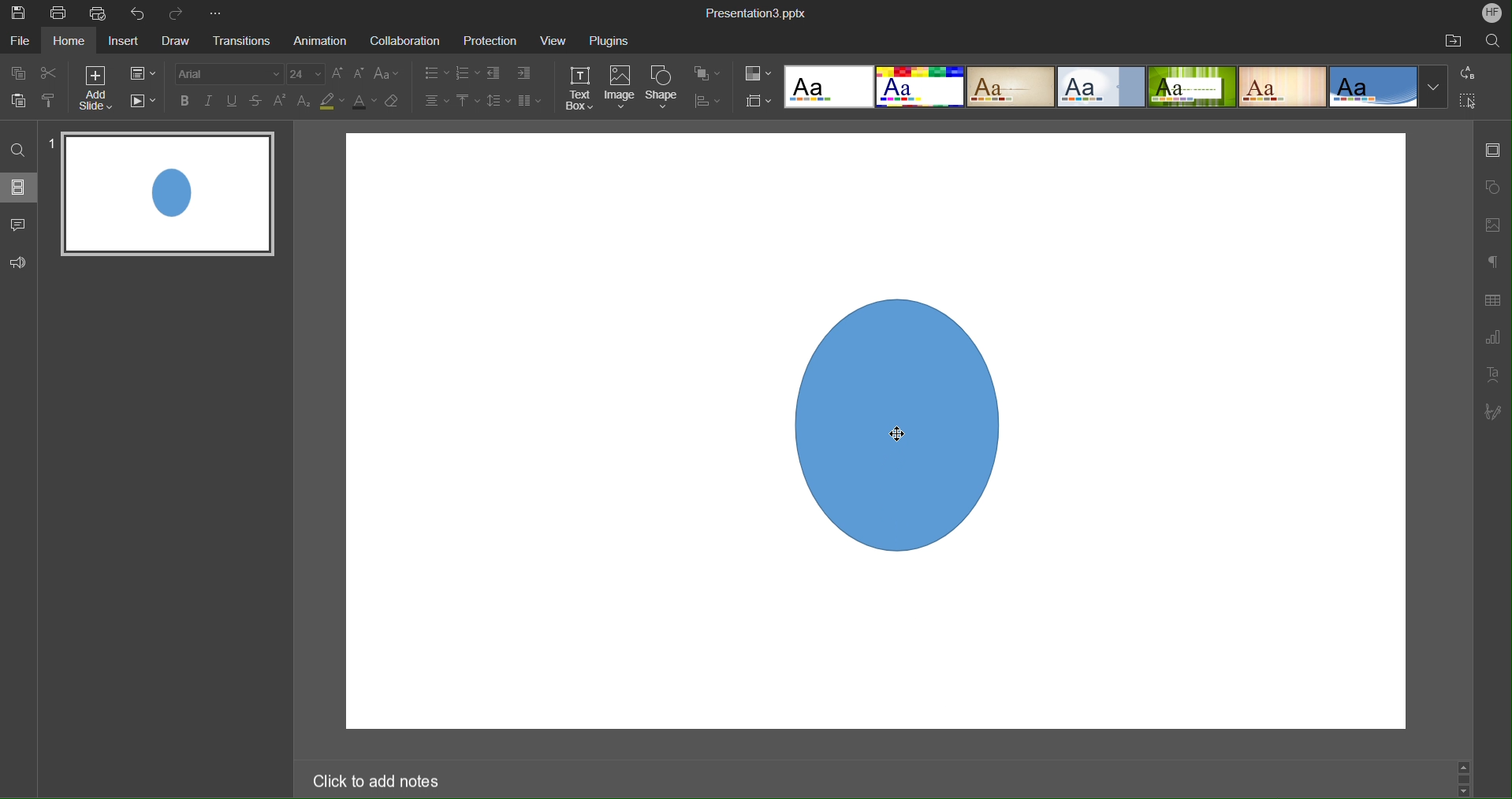 The image size is (1512, 799). What do you see at coordinates (318, 41) in the screenshot?
I see `Animation` at bounding box center [318, 41].